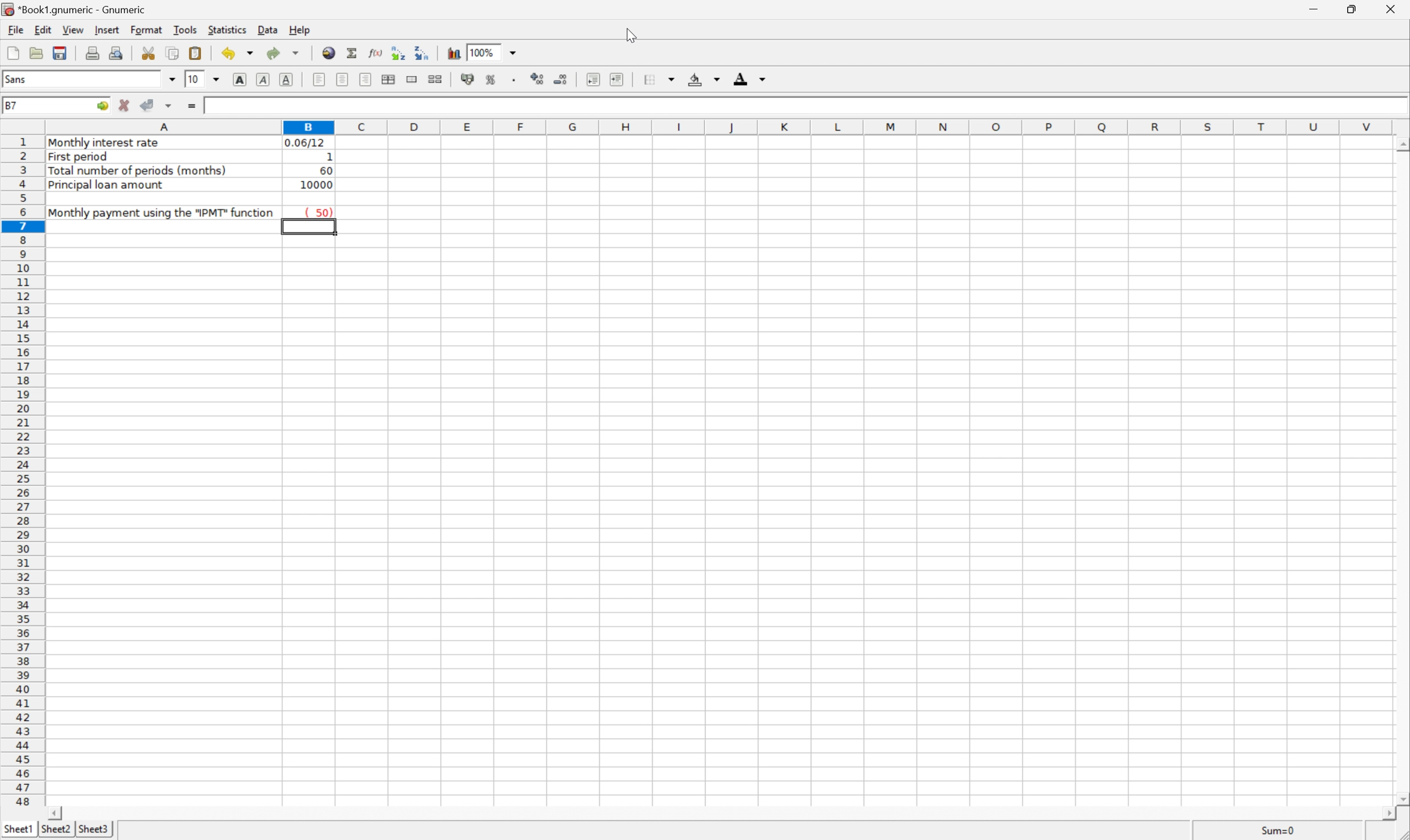  What do you see at coordinates (190, 105) in the screenshot?
I see `Enter formula` at bounding box center [190, 105].